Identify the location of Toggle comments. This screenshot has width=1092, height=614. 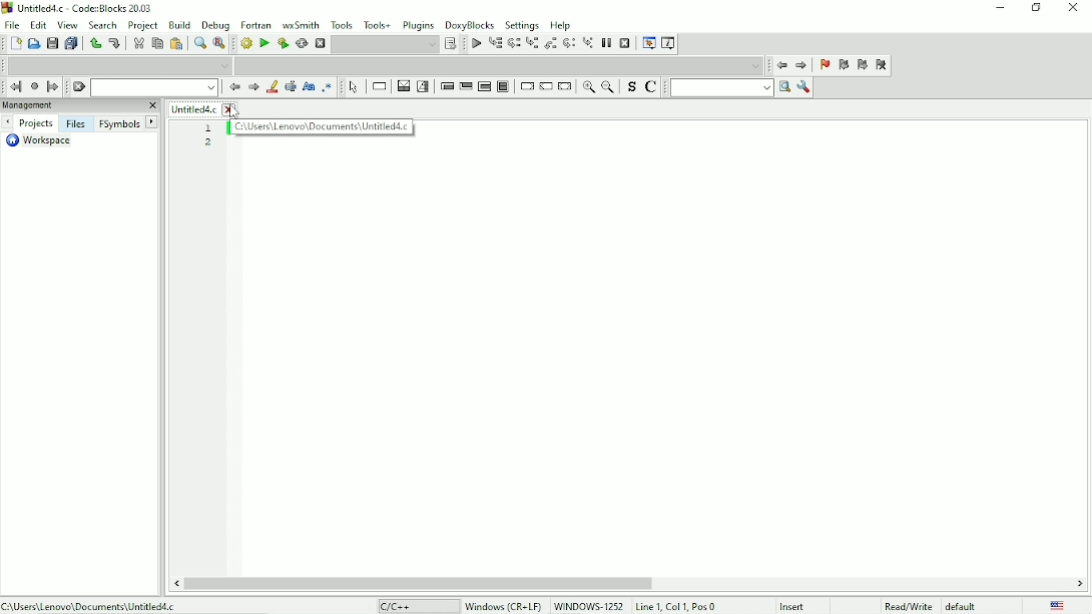
(652, 87).